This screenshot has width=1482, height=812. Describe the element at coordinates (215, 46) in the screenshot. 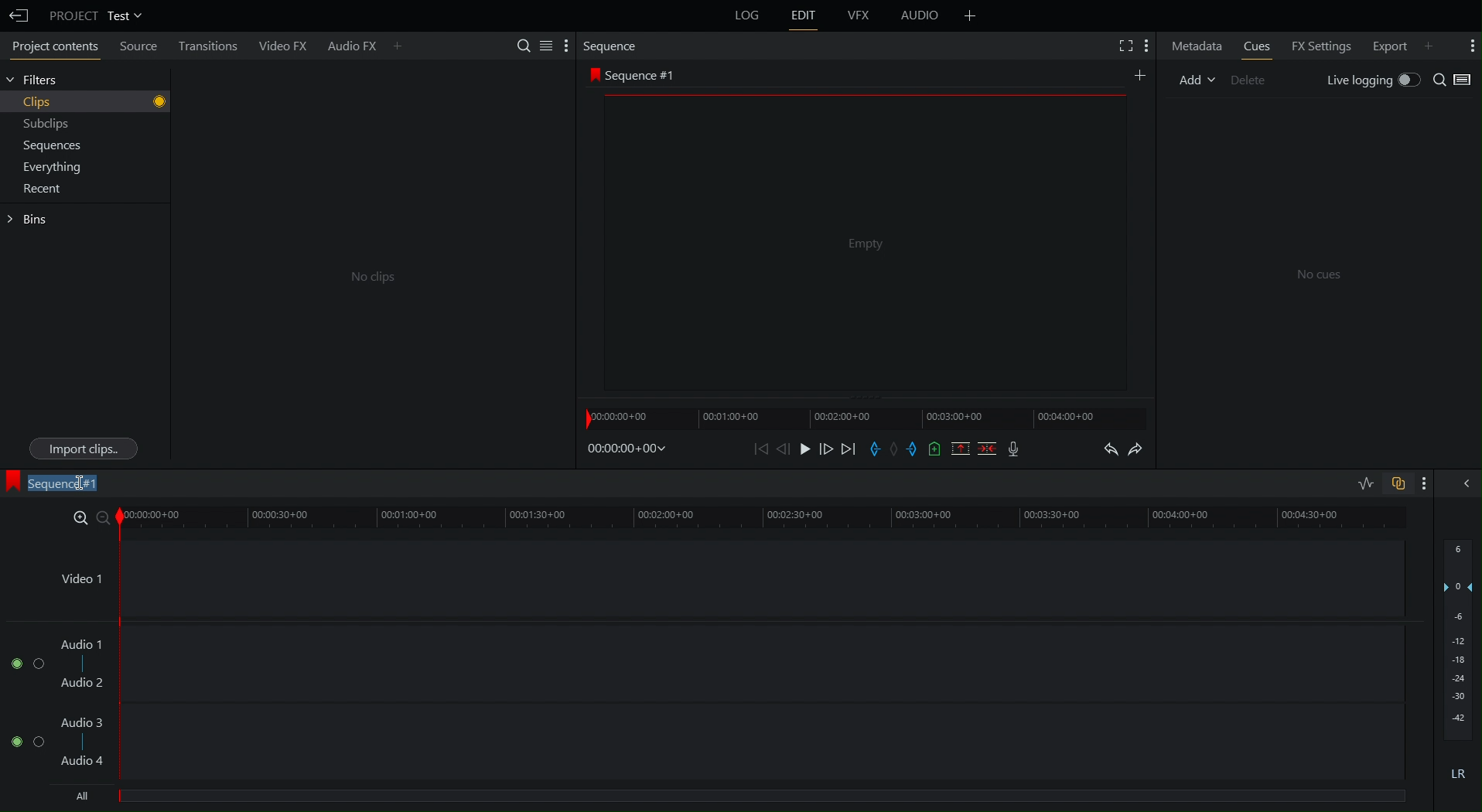

I see `Transitions` at that location.